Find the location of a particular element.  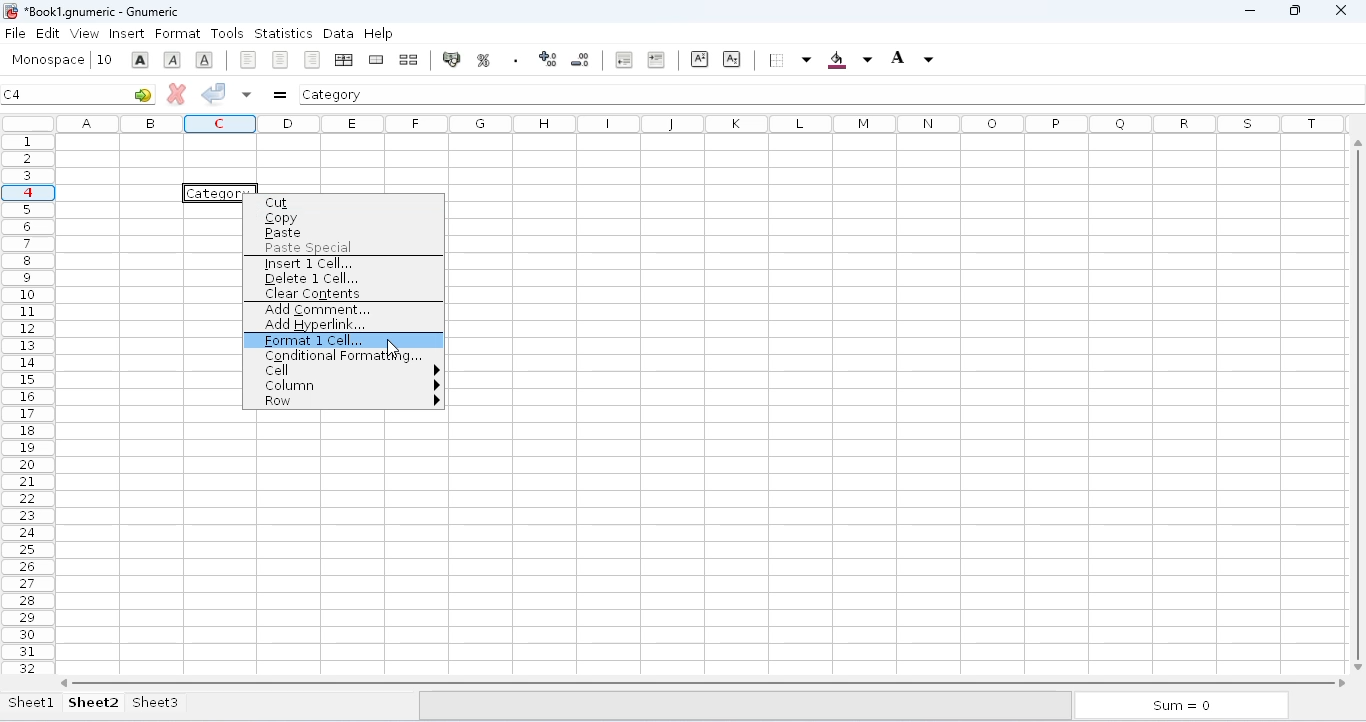

borders is located at coordinates (788, 60).